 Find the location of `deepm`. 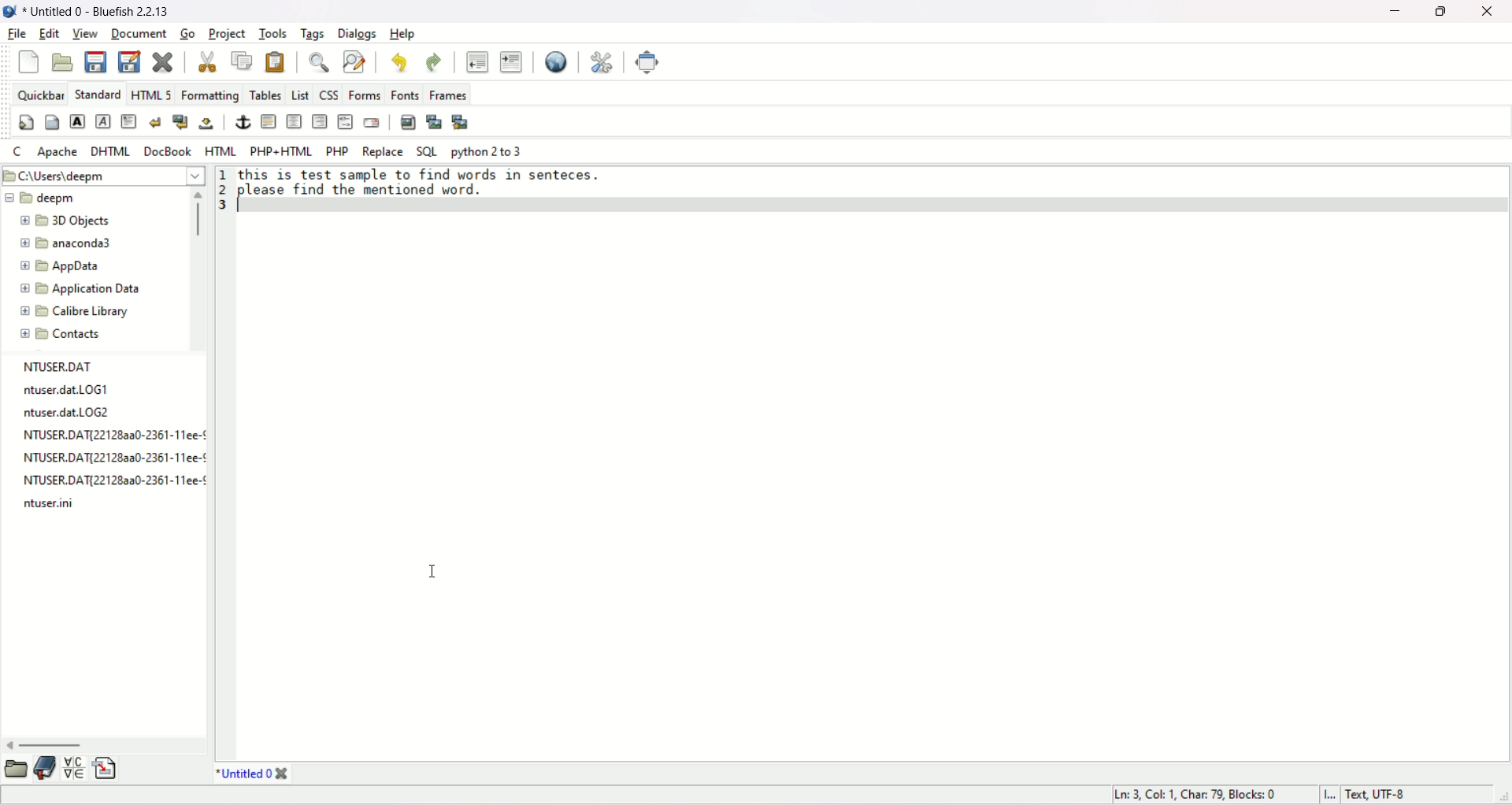

deepm is located at coordinates (41, 198).